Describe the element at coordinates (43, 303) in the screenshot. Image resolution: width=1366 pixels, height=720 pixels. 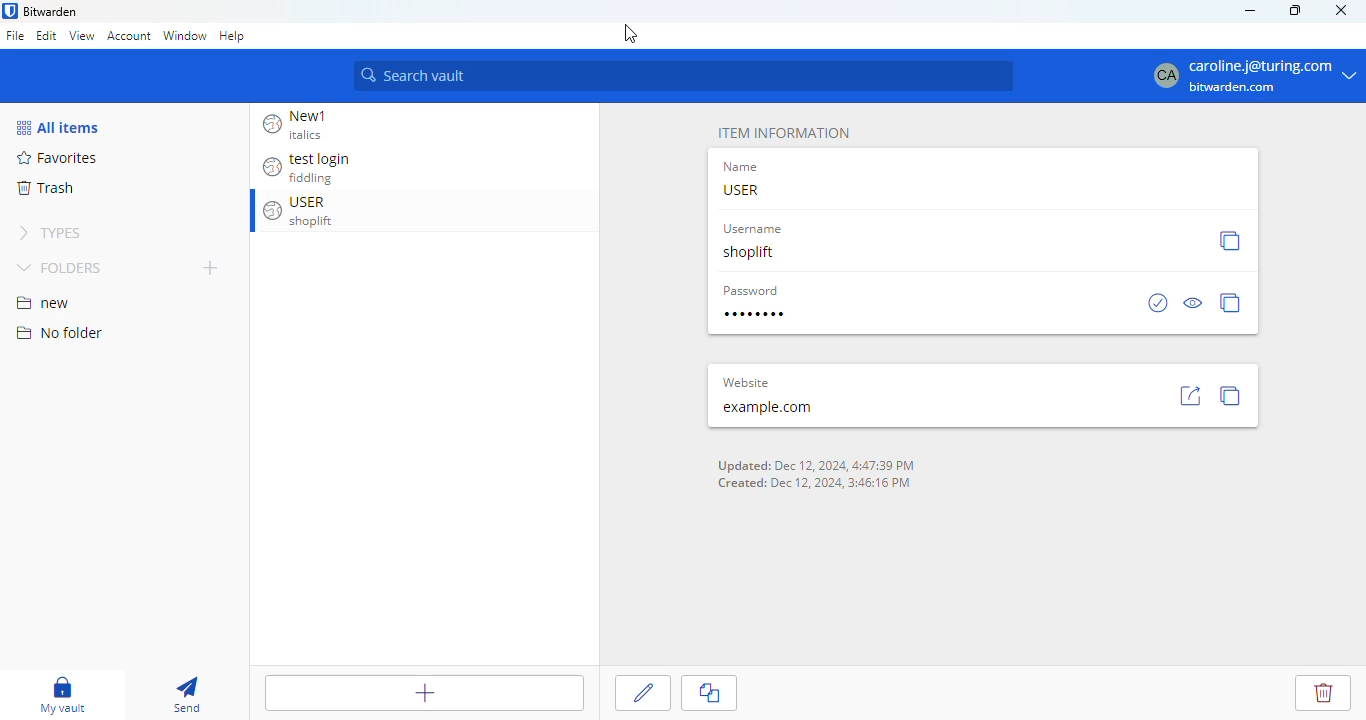
I see `new` at that location.